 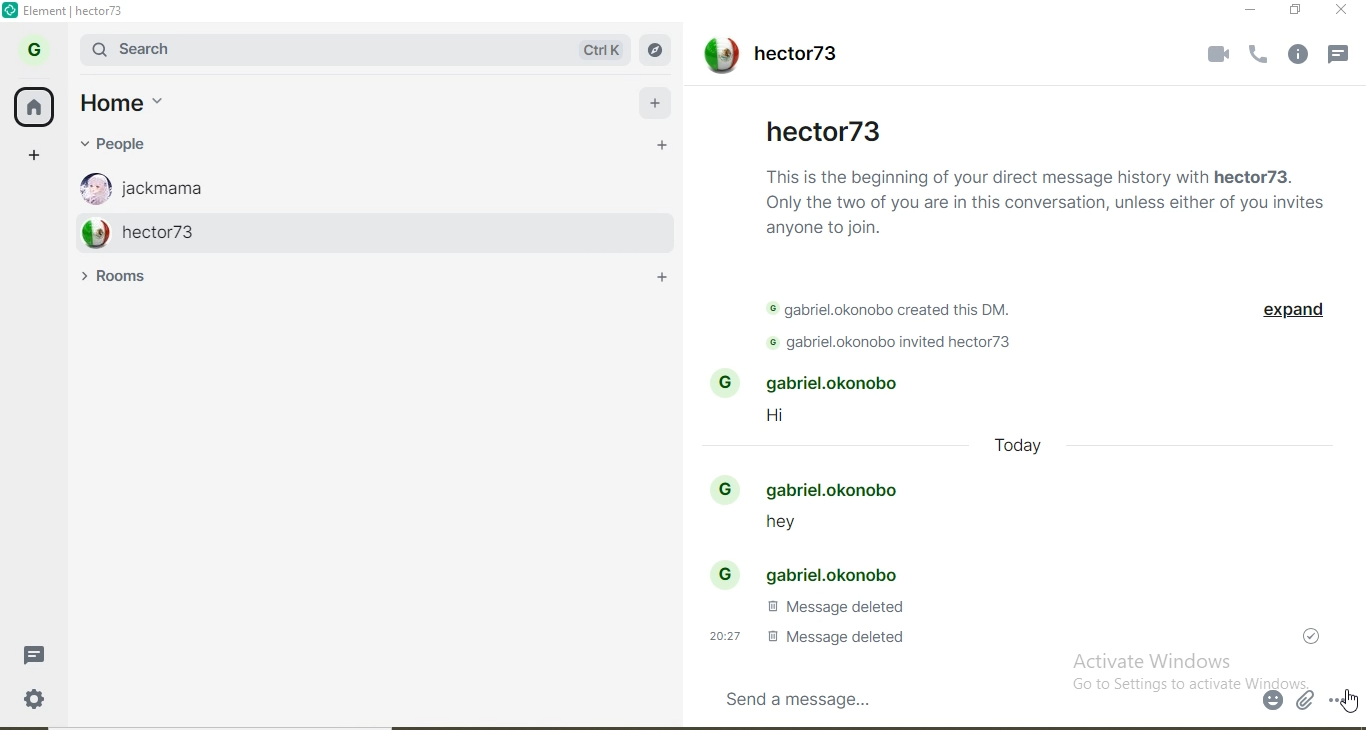 I want to click on expand, so click(x=1291, y=313).